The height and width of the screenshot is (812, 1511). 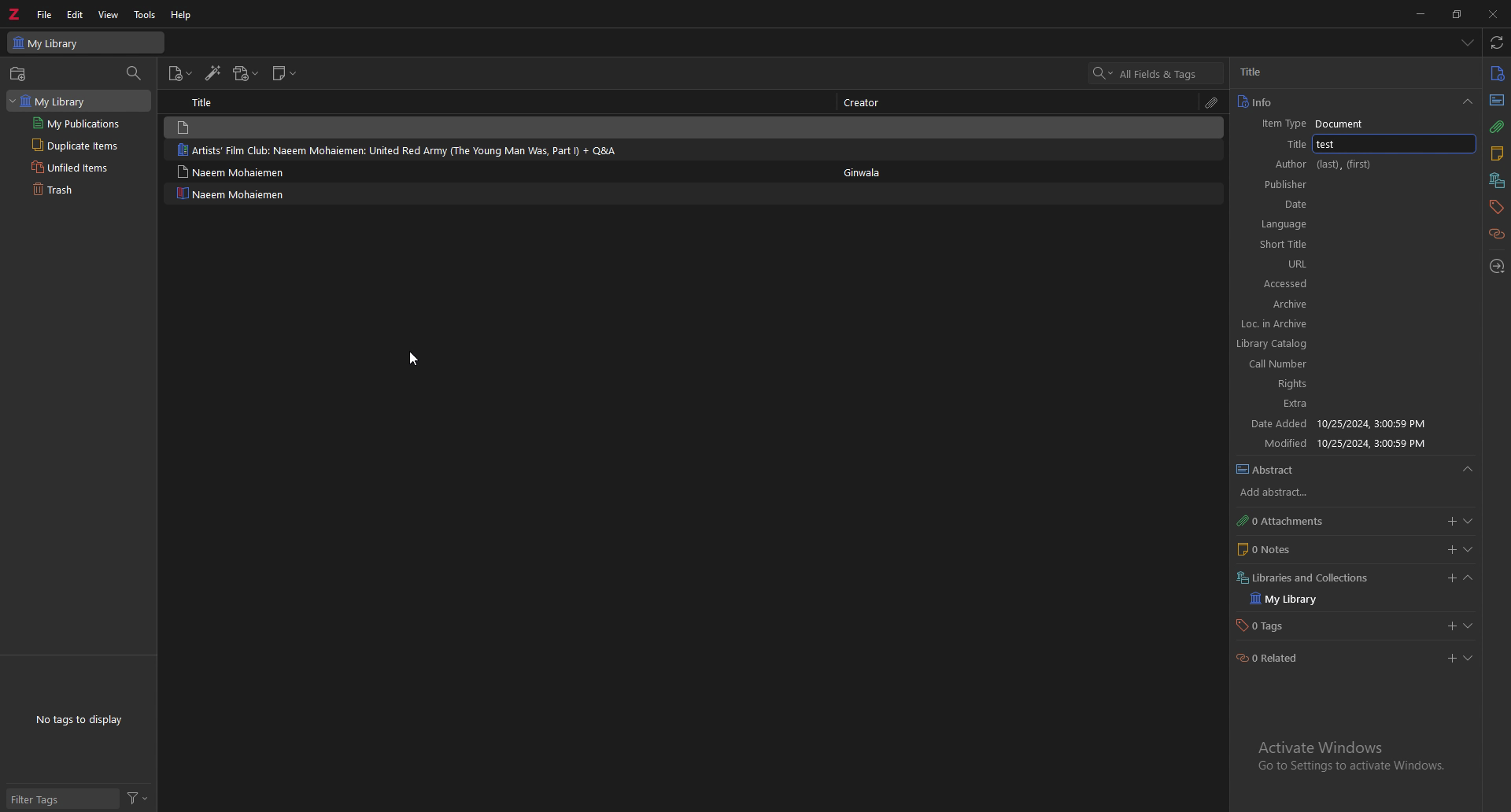 What do you see at coordinates (1277, 325) in the screenshot?
I see `publisher` at bounding box center [1277, 325].